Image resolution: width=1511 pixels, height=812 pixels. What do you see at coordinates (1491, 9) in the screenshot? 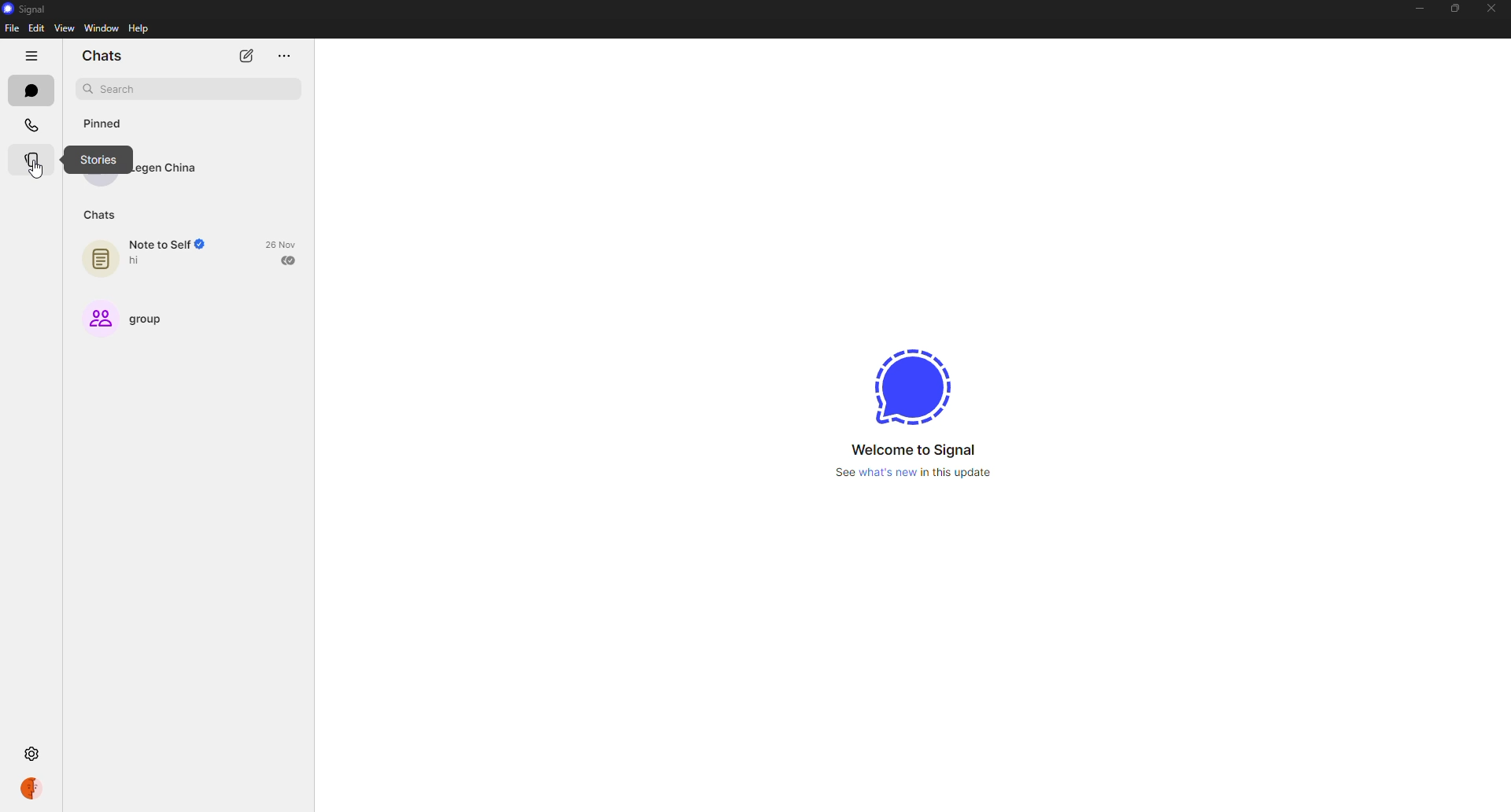
I see `close` at bounding box center [1491, 9].